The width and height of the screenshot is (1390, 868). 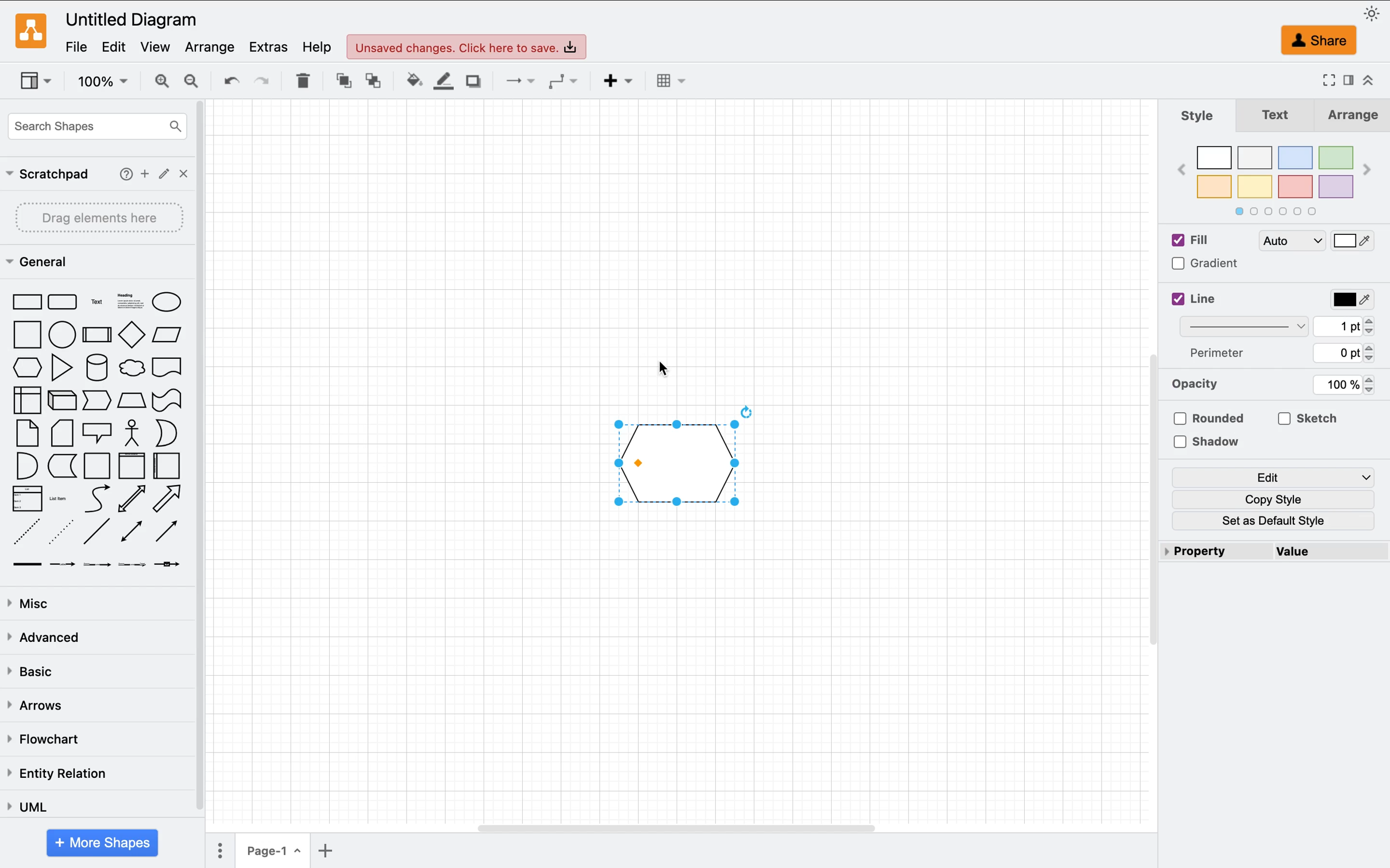 What do you see at coordinates (1306, 417) in the screenshot?
I see `Sketch` at bounding box center [1306, 417].